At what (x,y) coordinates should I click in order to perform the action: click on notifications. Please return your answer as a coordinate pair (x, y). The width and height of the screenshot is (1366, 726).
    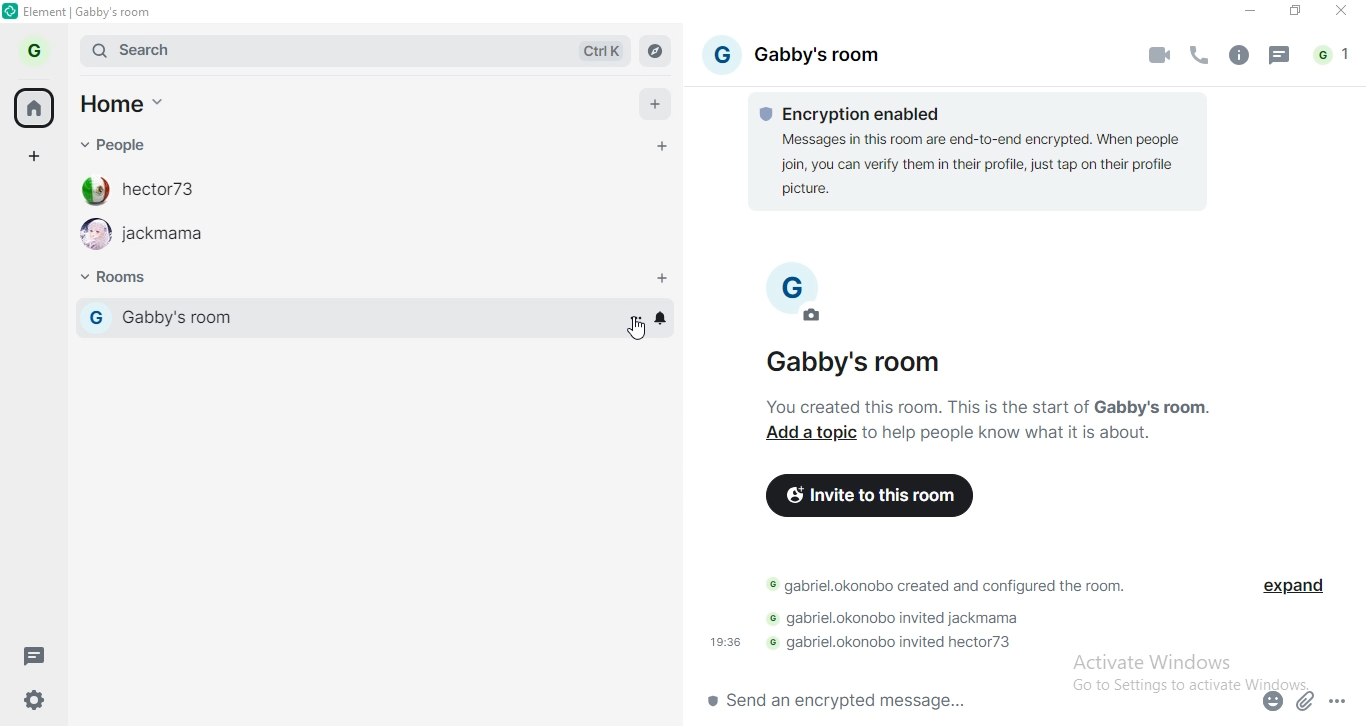
    Looking at the image, I should click on (1339, 50).